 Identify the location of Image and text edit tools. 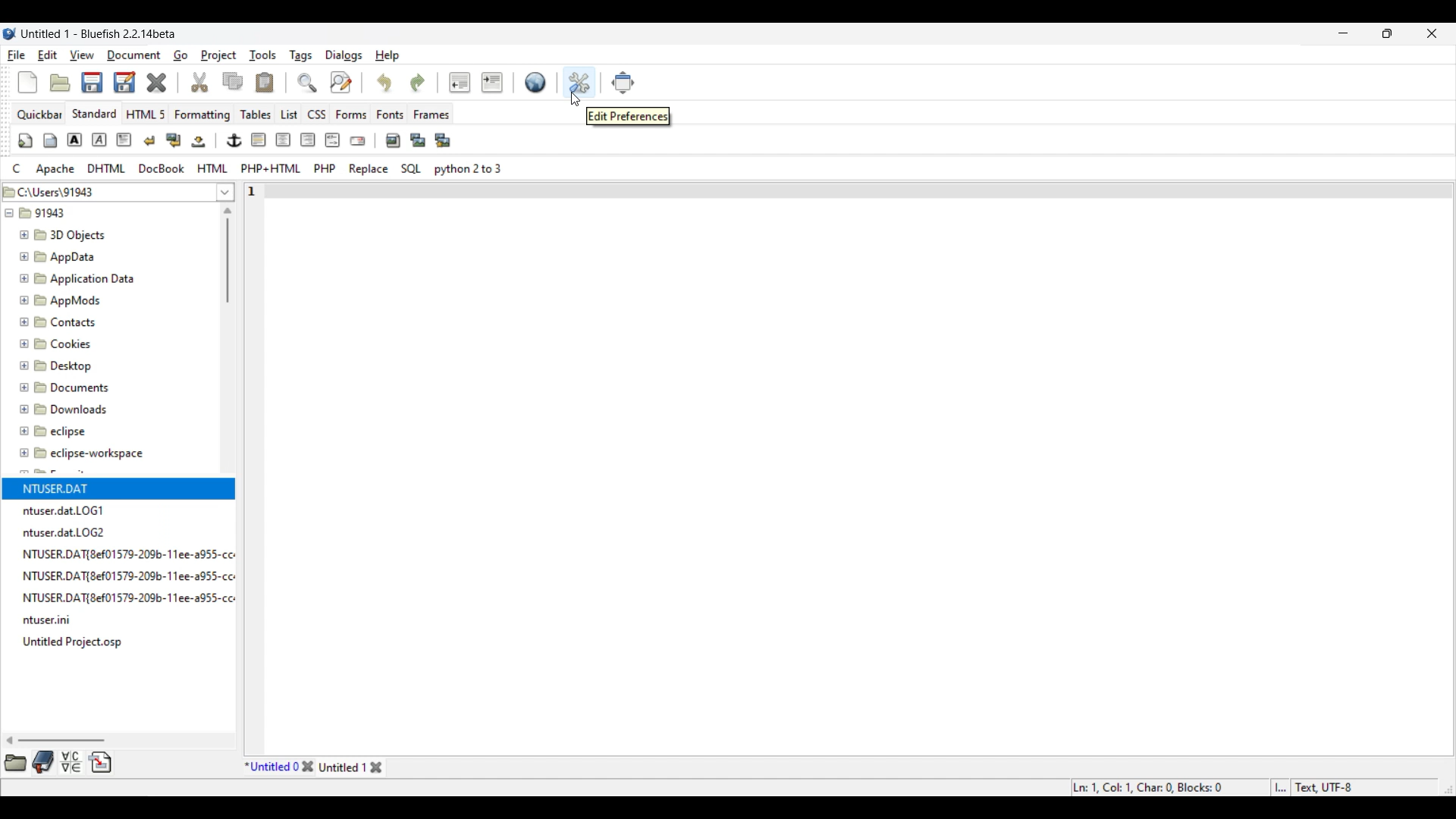
(235, 140).